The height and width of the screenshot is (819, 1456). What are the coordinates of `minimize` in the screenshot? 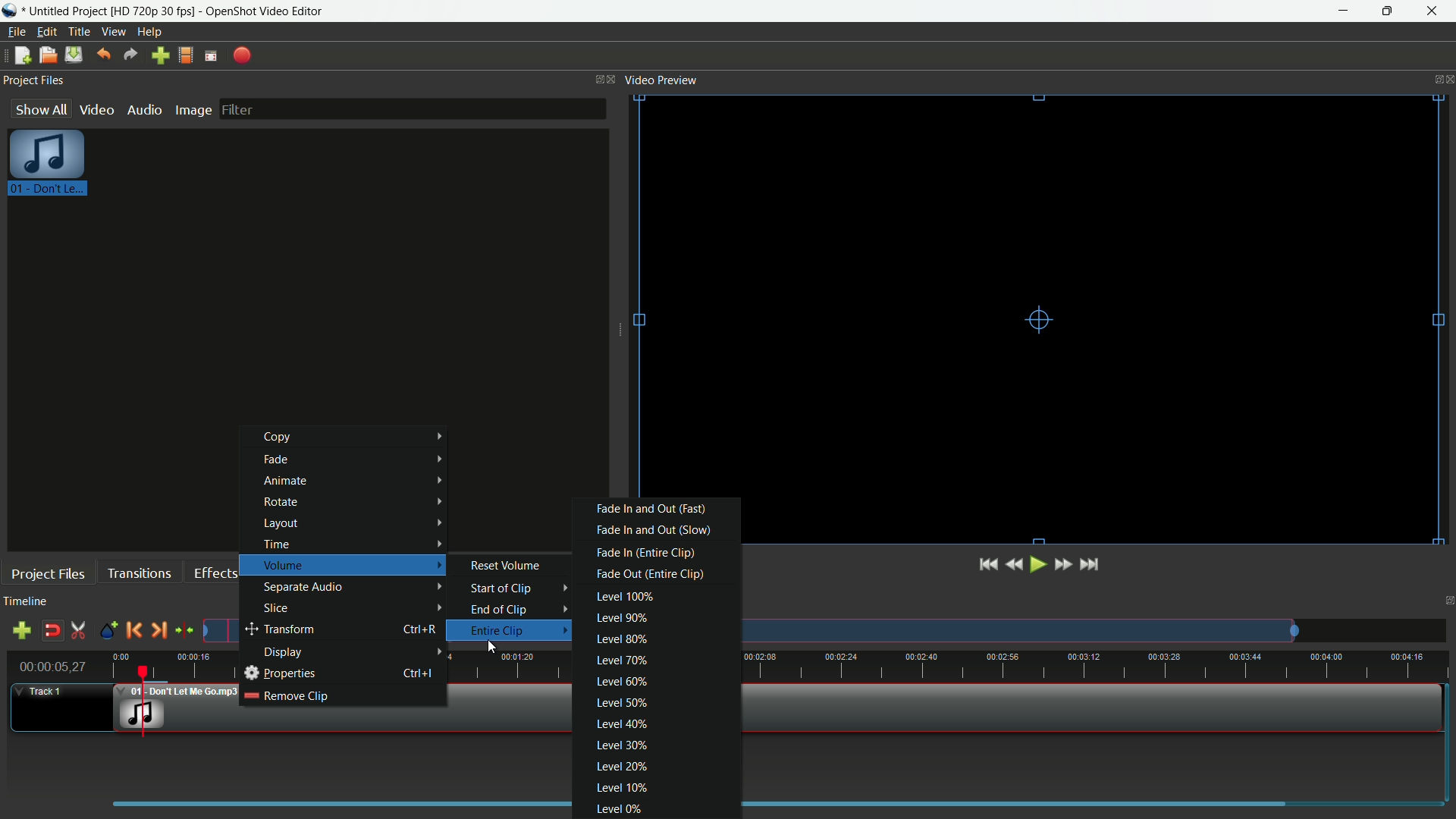 It's located at (1345, 11).